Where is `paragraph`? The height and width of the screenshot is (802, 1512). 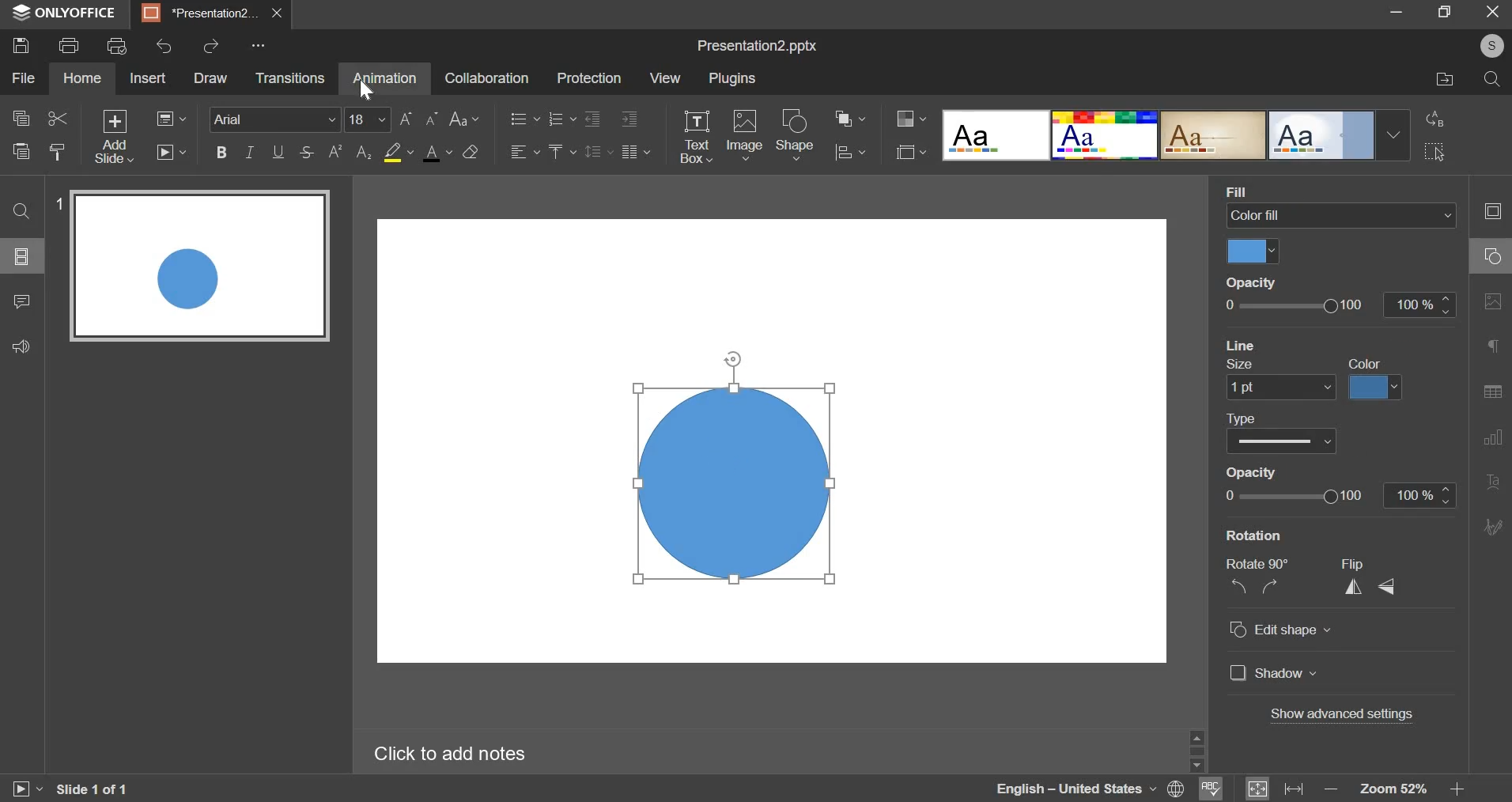 paragraph is located at coordinates (638, 151).